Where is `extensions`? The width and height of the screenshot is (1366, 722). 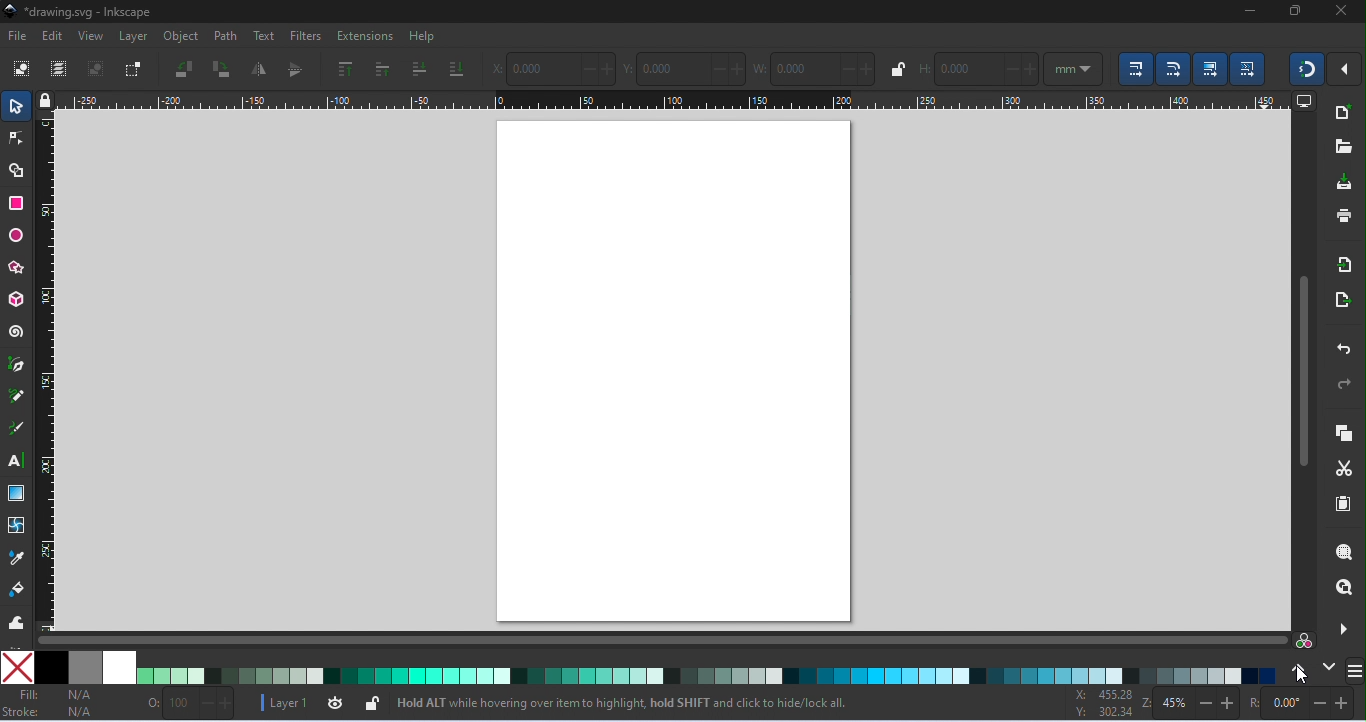 extensions is located at coordinates (364, 36).